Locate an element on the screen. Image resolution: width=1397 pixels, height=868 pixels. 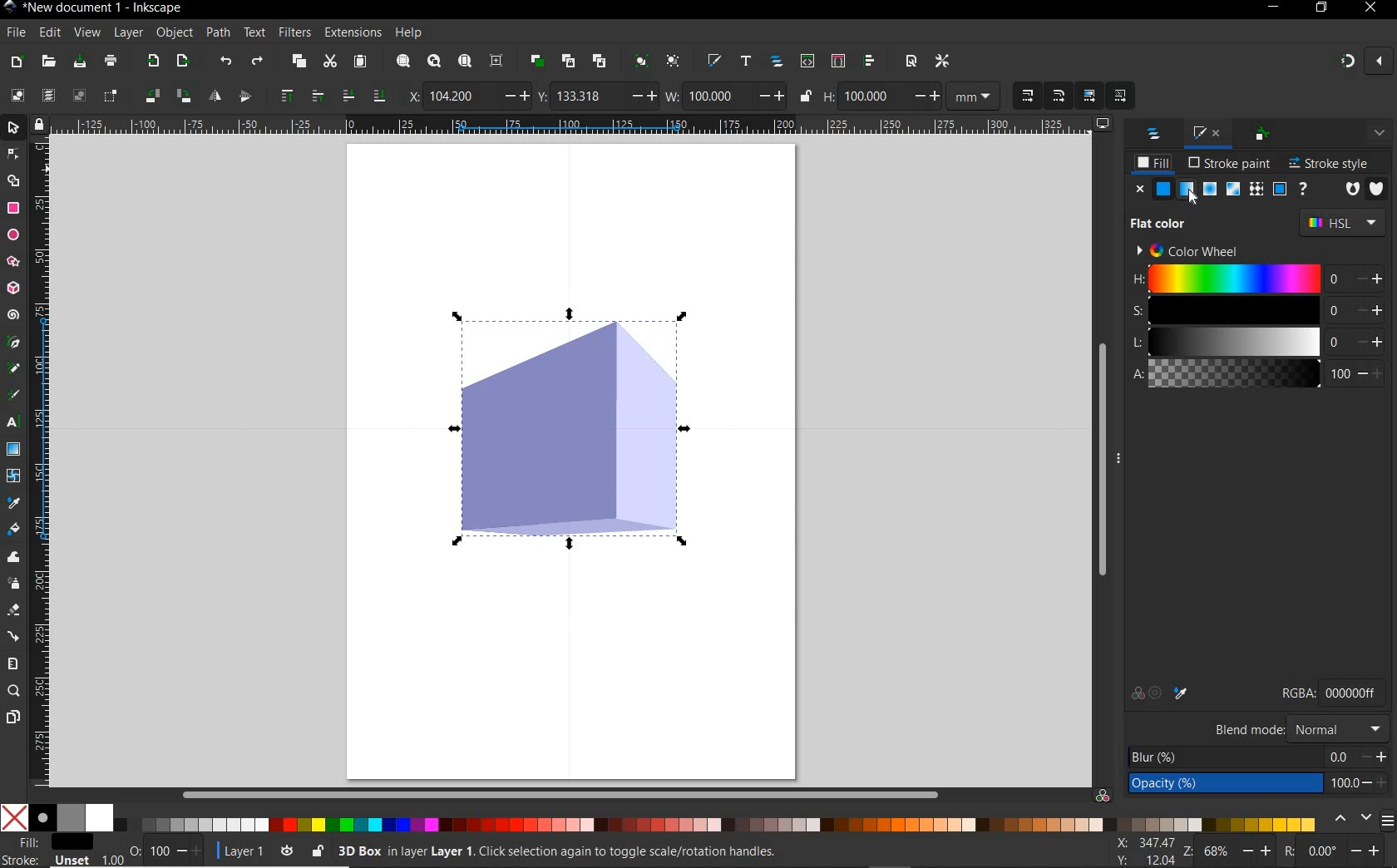
close is located at coordinates (1219, 133).